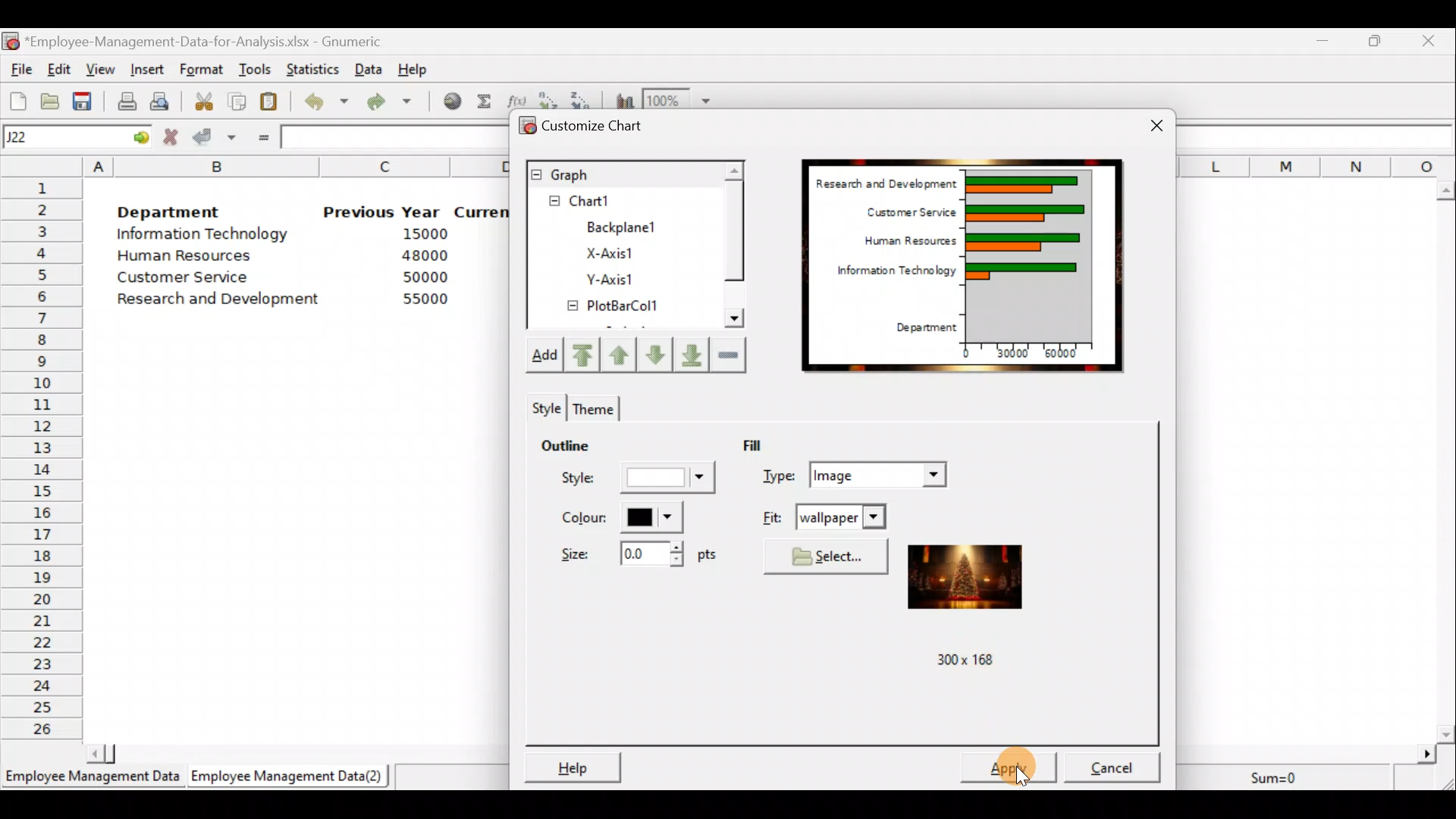 The height and width of the screenshot is (819, 1456). What do you see at coordinates (413, 66) in the screenshot?
I see `Help` at bounding box center [413, 66].